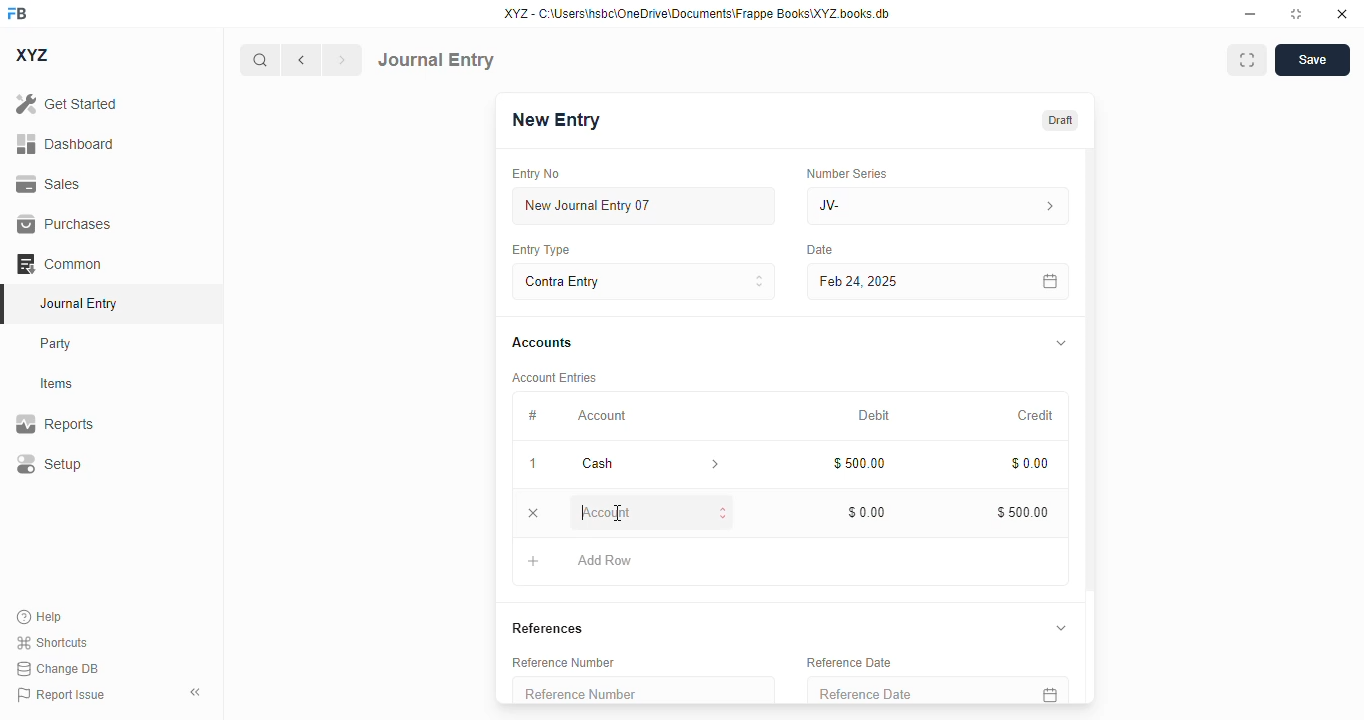 Image resolution: width=1364 pixels, height=720 pixels. I want to click on shortcuts, so click(52, 642).